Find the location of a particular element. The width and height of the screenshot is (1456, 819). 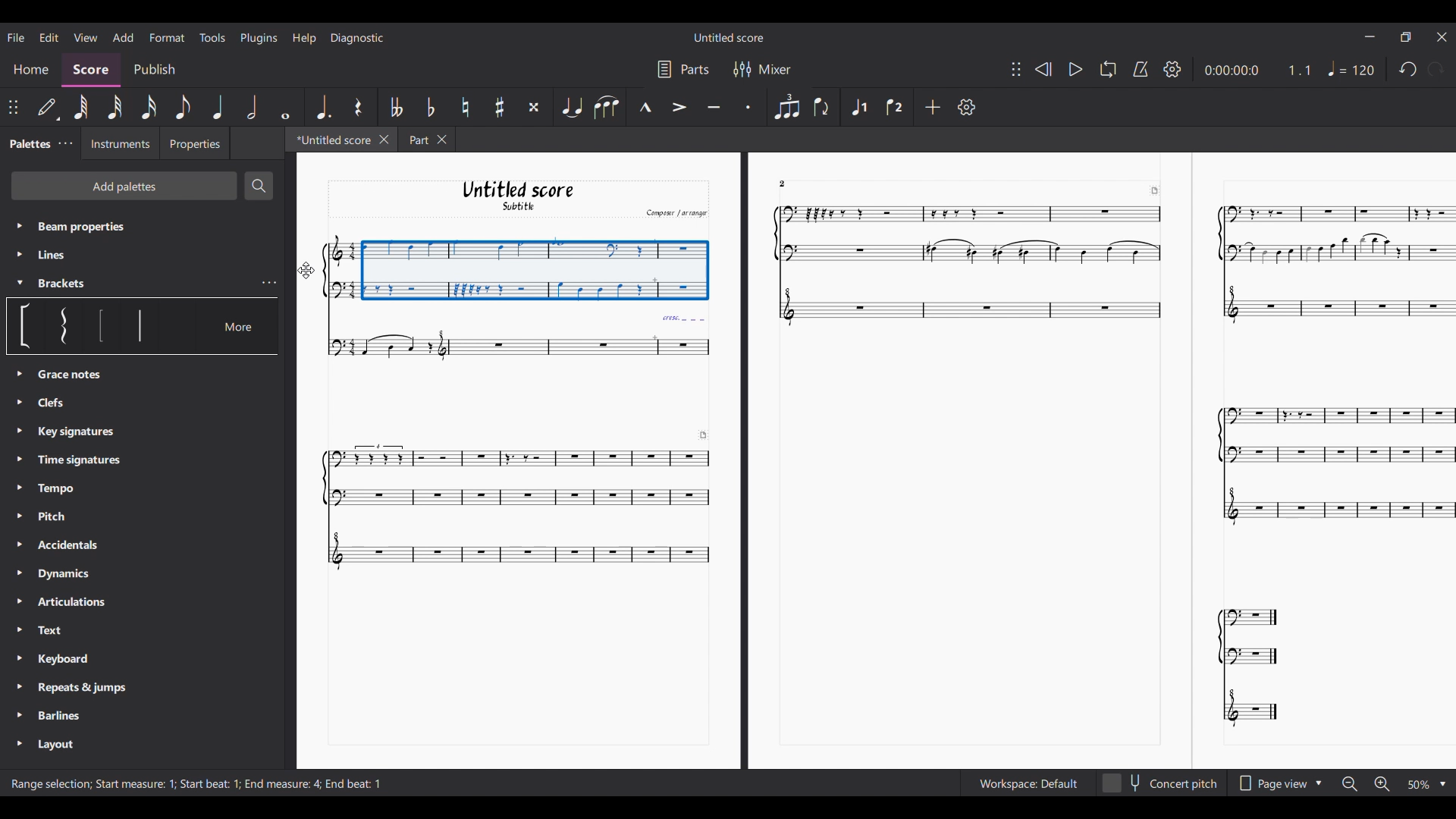

8th note is located at coordinates (183, 107).